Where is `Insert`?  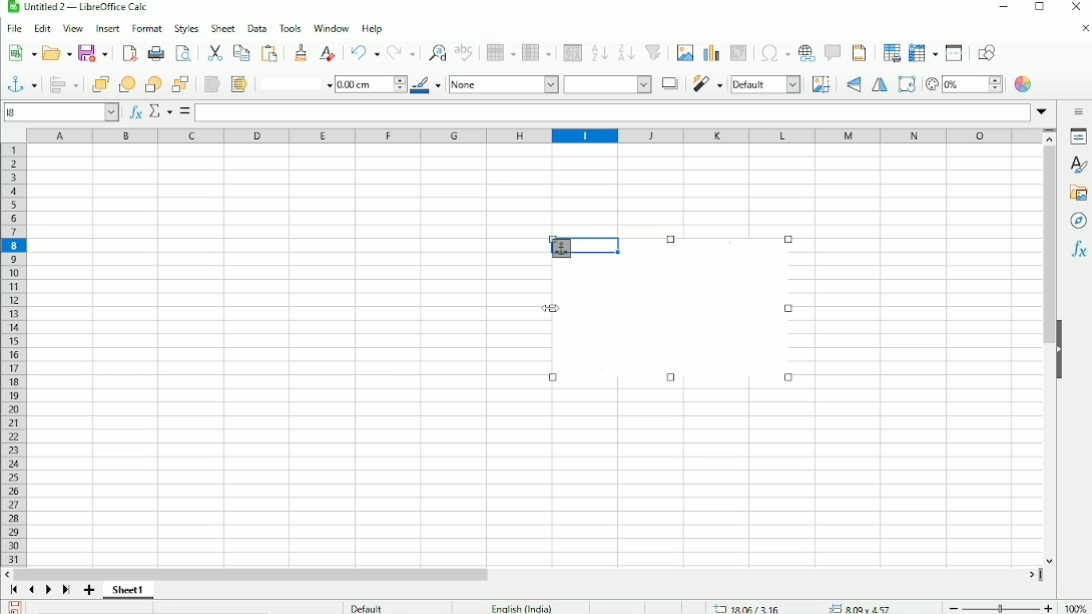 Insert is located at coordinates (106, 29).